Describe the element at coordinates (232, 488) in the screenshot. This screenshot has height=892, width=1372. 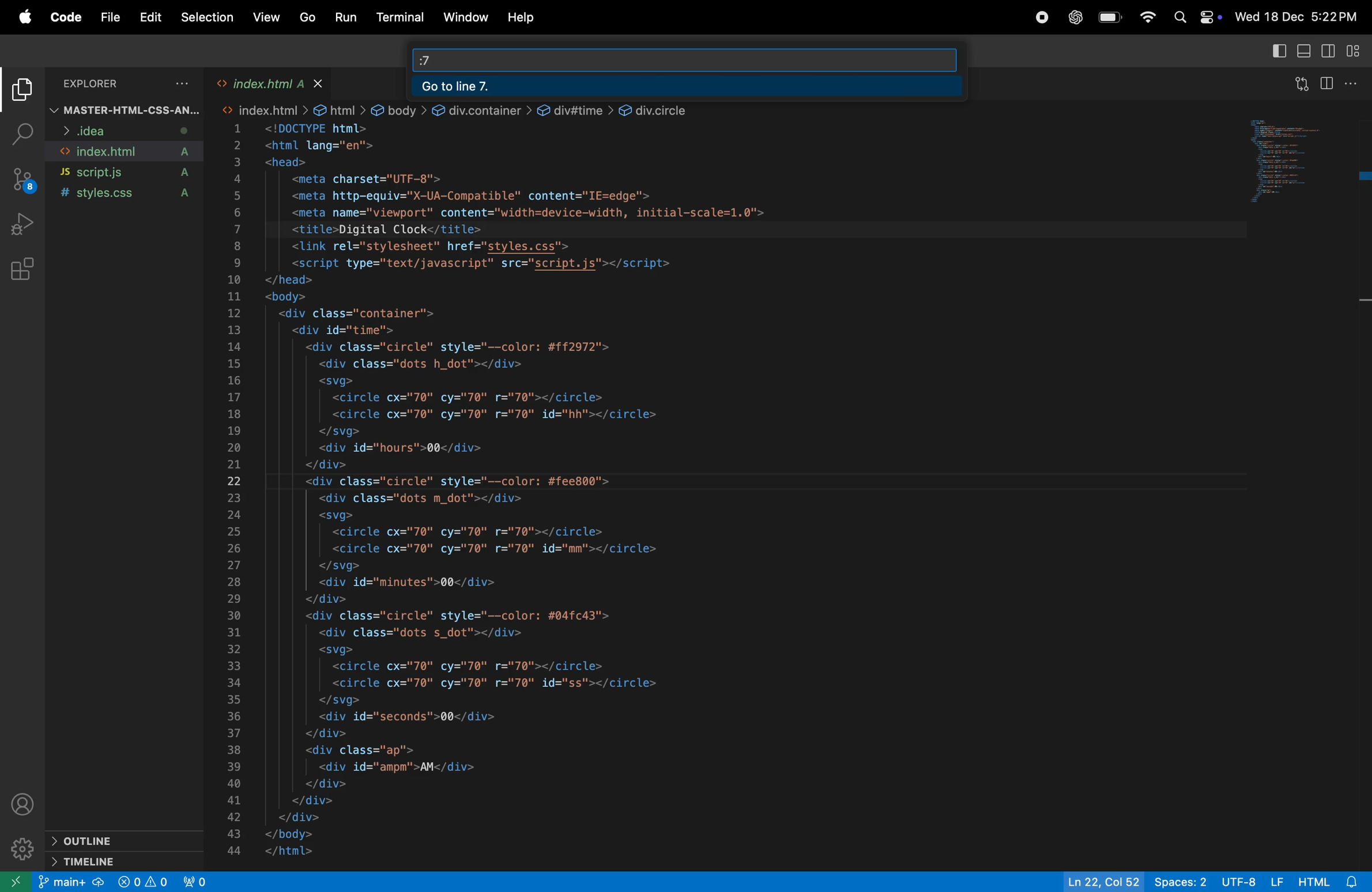
I see `line number` at that location.